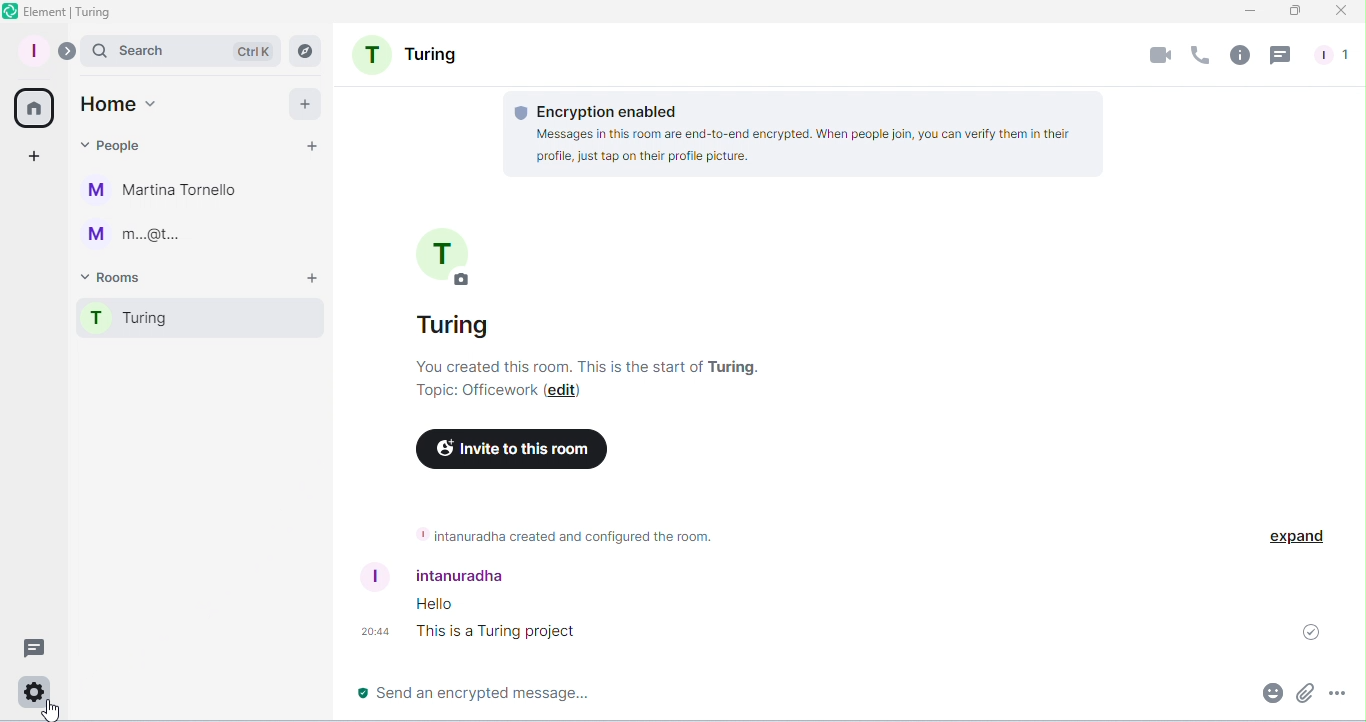 The height and width of the screenshot is (722, 1366). Describe the element at coordinates (1157, 57) in the screenshot. I see `Video call` at that location.